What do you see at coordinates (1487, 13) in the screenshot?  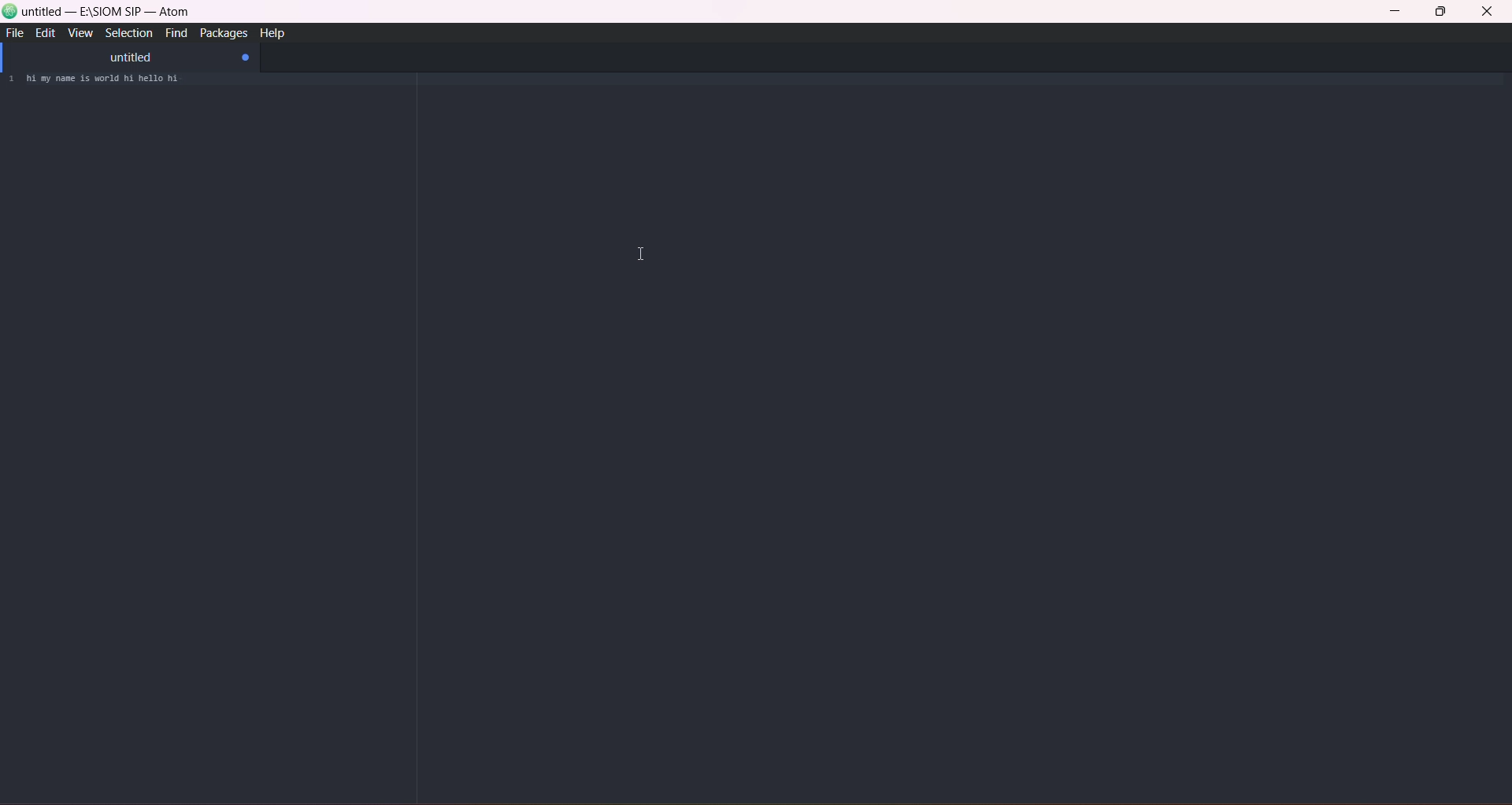 I see `close` at bounding box center [1487, 13].